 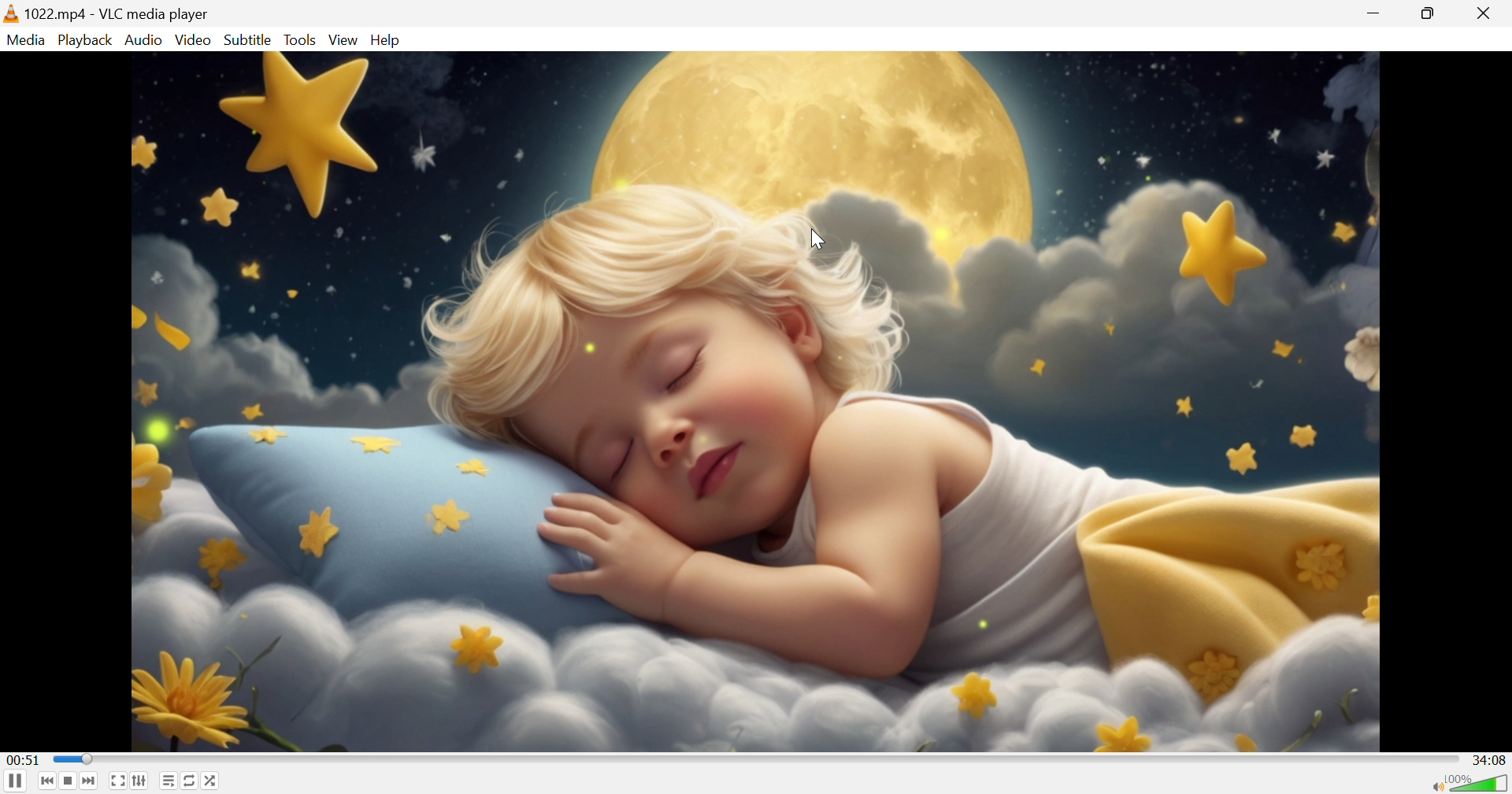 What do you see at coordinates (92, 782) in the screenshot?
I see `Next media in the playlist, skip forward when held` at bounding box center [92, 782].